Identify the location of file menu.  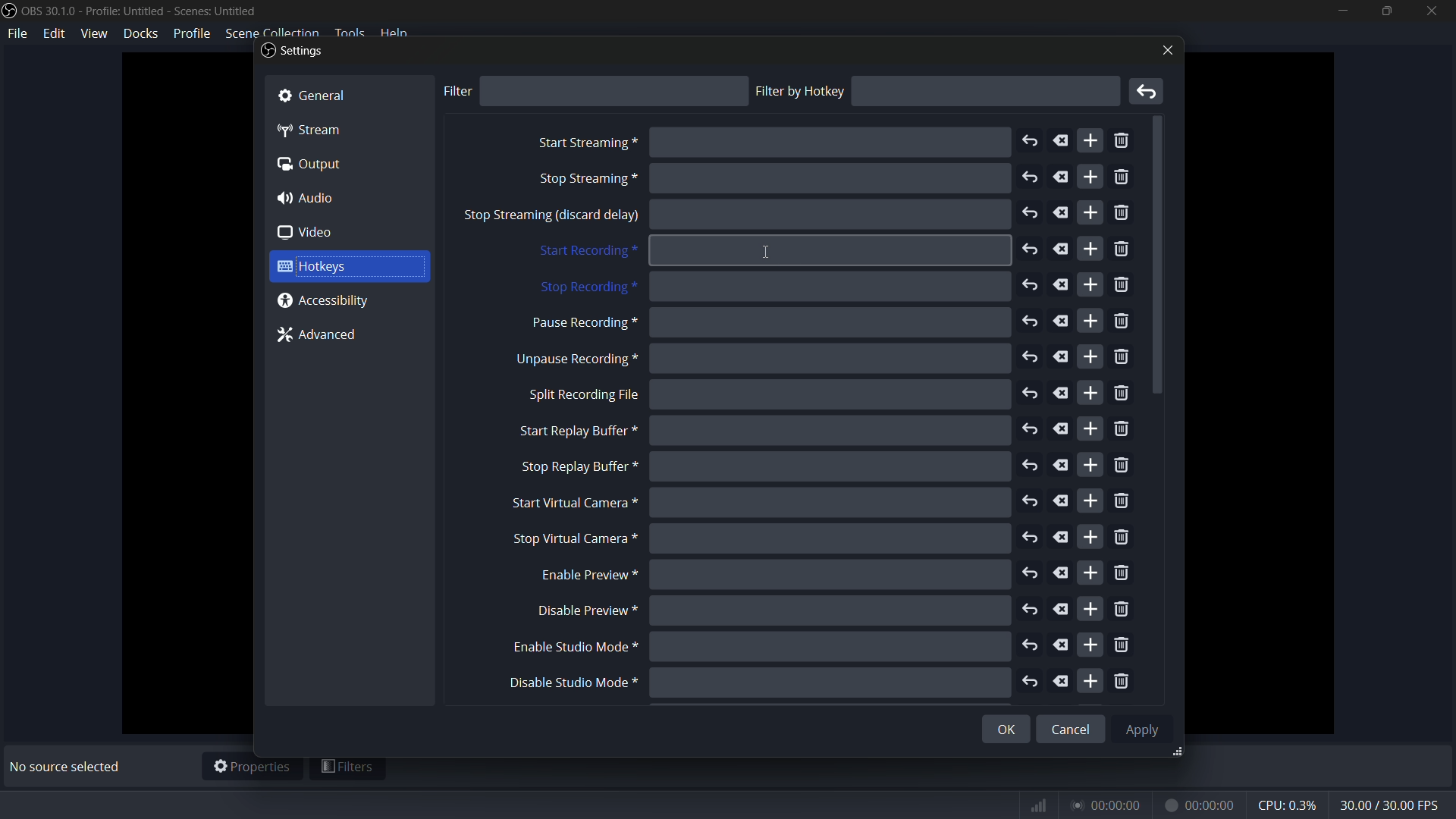
(18, 34).